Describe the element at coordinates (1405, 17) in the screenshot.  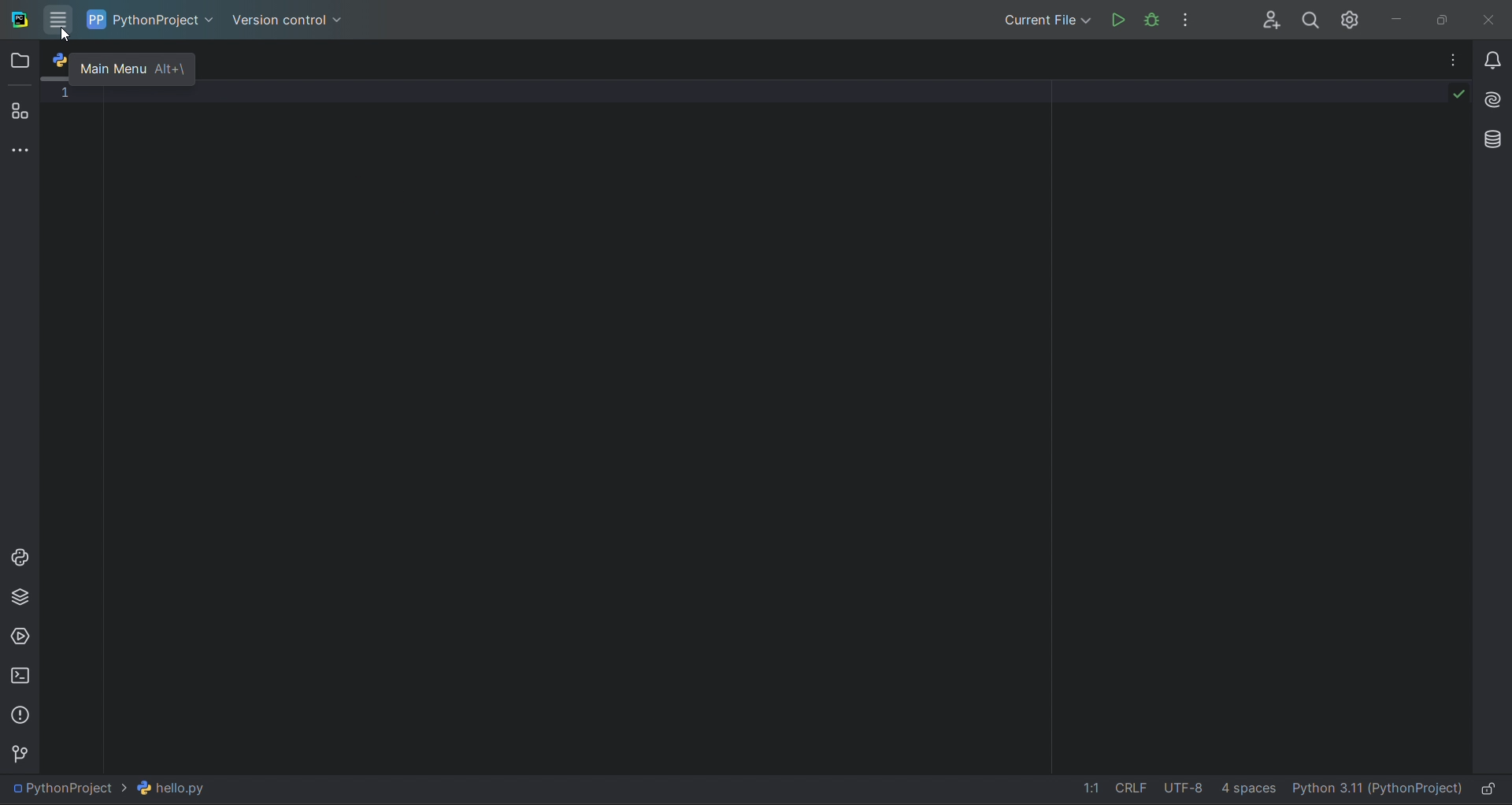
I see `minimize` at that location.